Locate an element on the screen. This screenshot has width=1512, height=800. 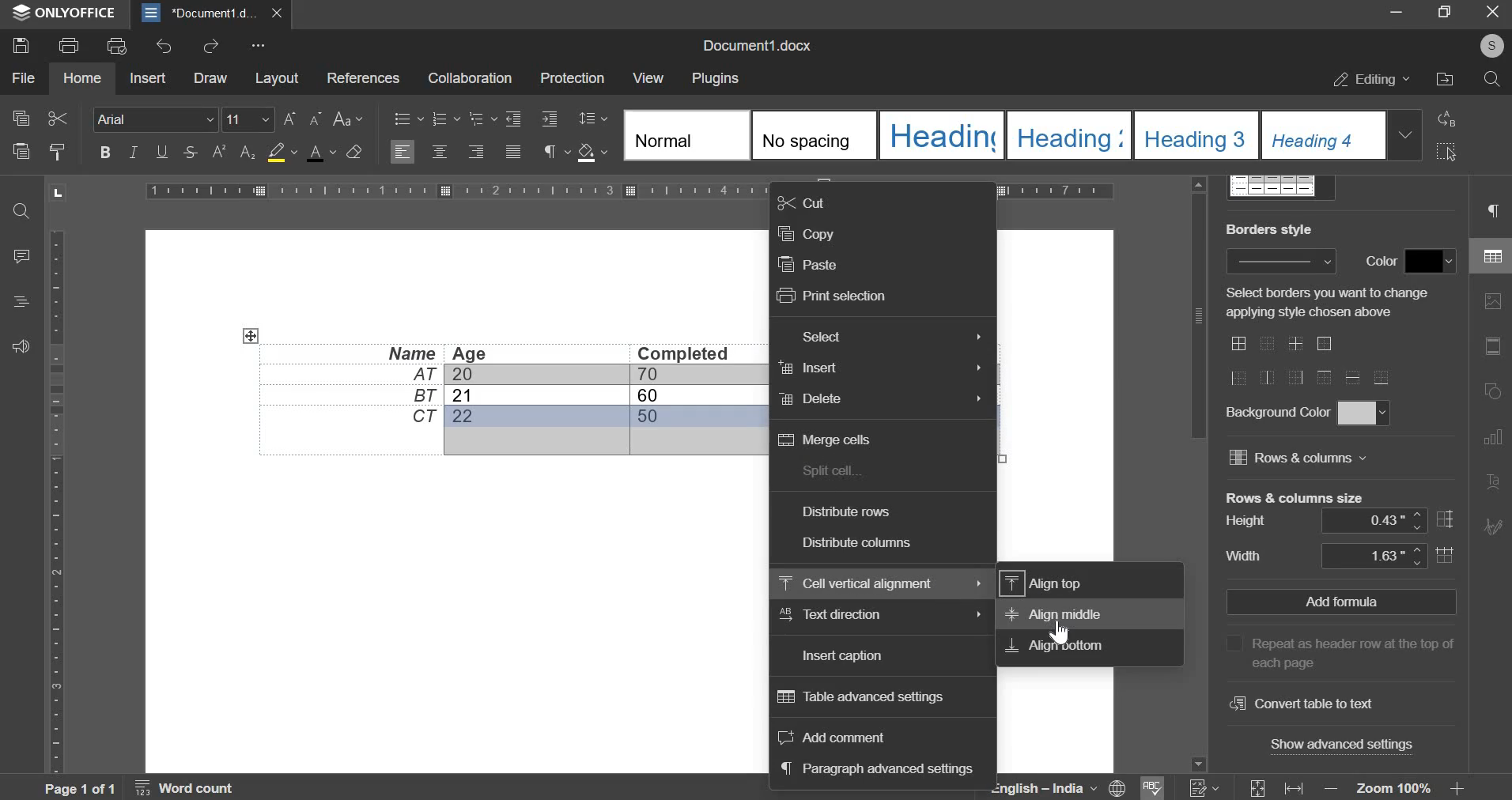
numbering is located at coordinates (440, 119).